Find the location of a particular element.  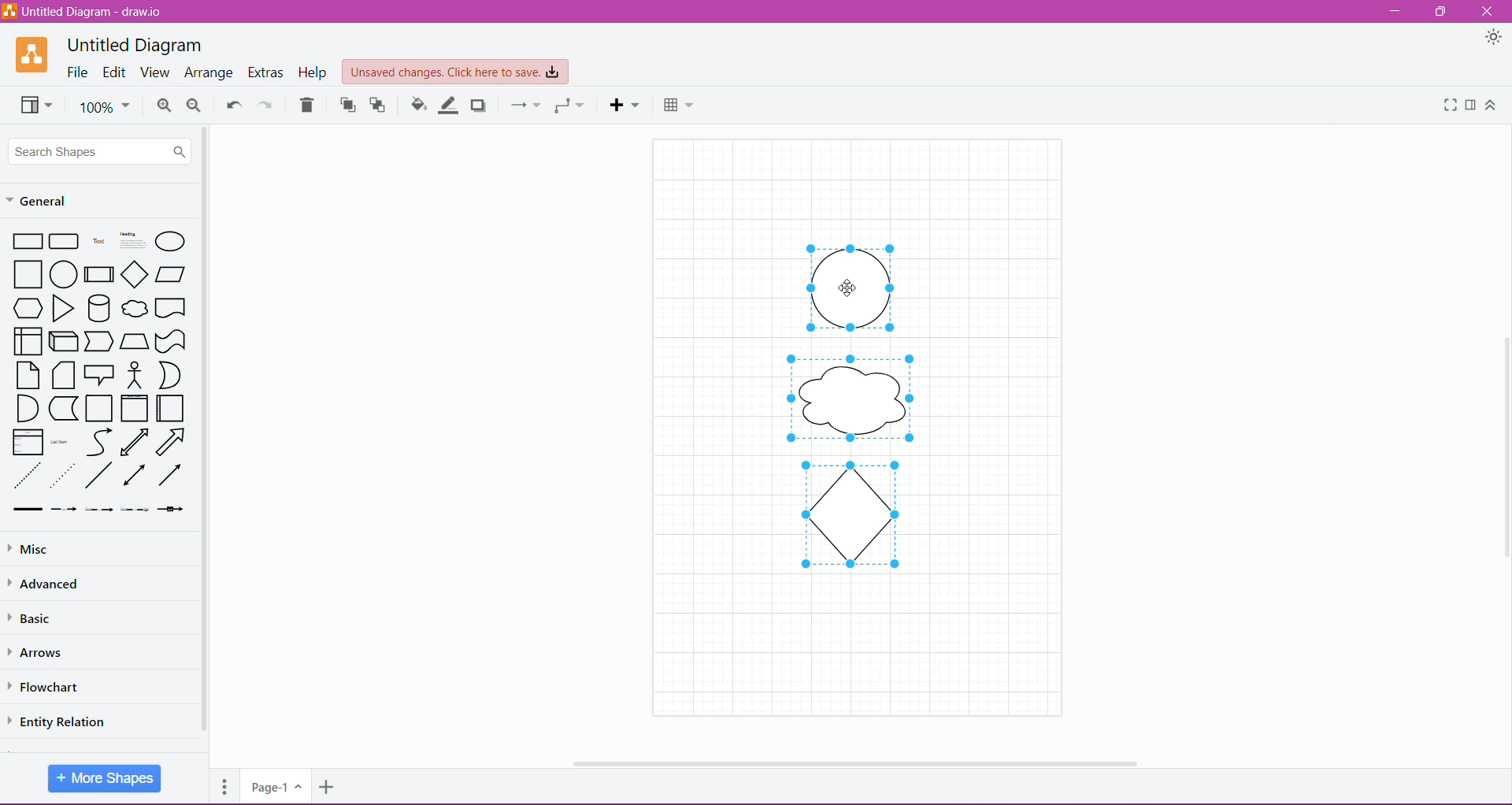

To Back is located at coordinates (380, 105).